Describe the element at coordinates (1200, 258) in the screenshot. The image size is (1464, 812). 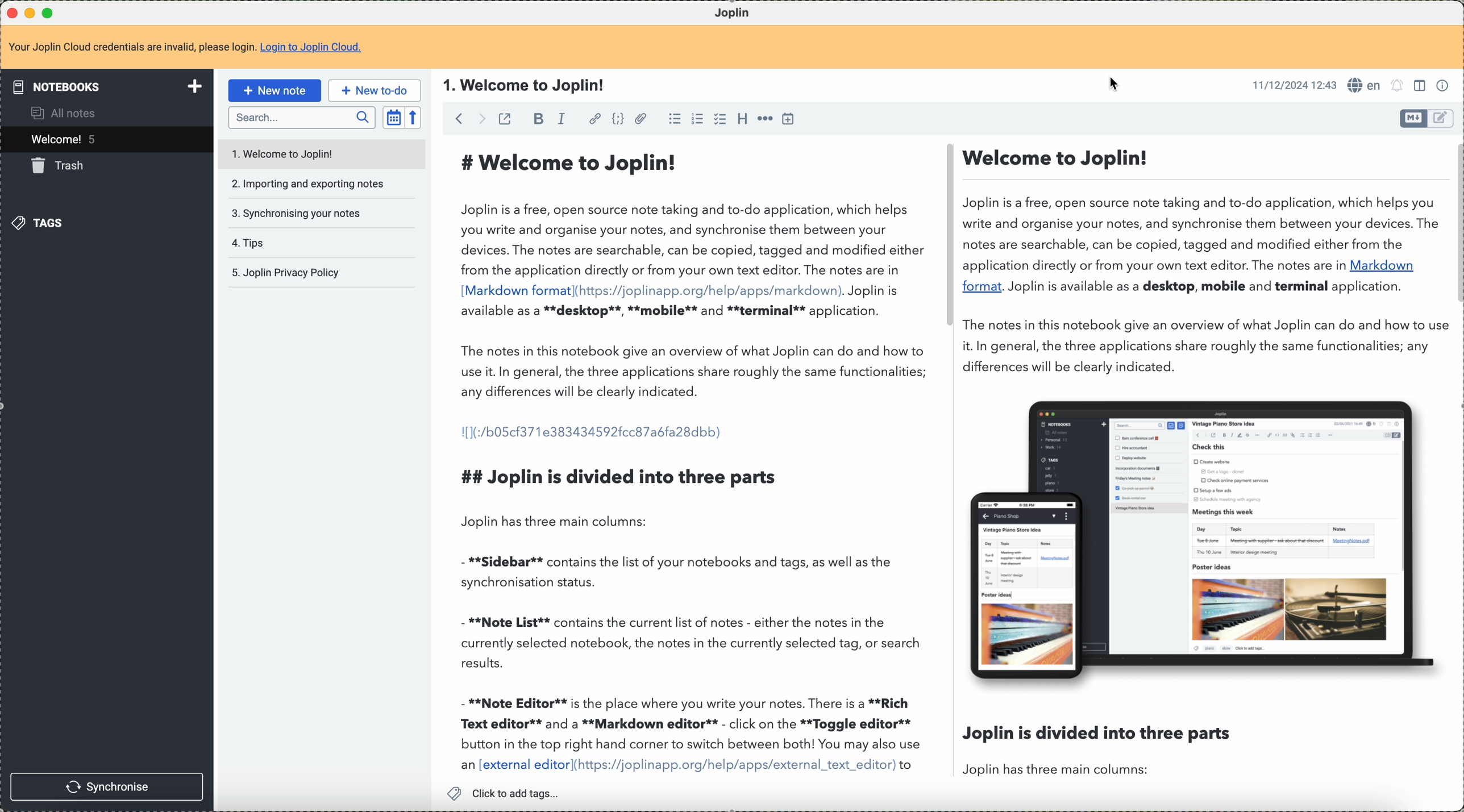
I see `.
Welcome to Joplin!
Joplin is a free, open source note taking and to-do application, which helps you
write and organise your notes, and synchronise them between your devices. The
notes are searchable, can be copied, tagged and modified either from the
application directly or from your own text editor. The notes are in Markdown
format. Joplin is available as a desktop, mobile and terminal application.
The notes in this notebook give an overview of what Joplin can do and how to us
it. In general, the three applications share roughly the same functionalities; any
differences will be clearly indicated.` at that location.